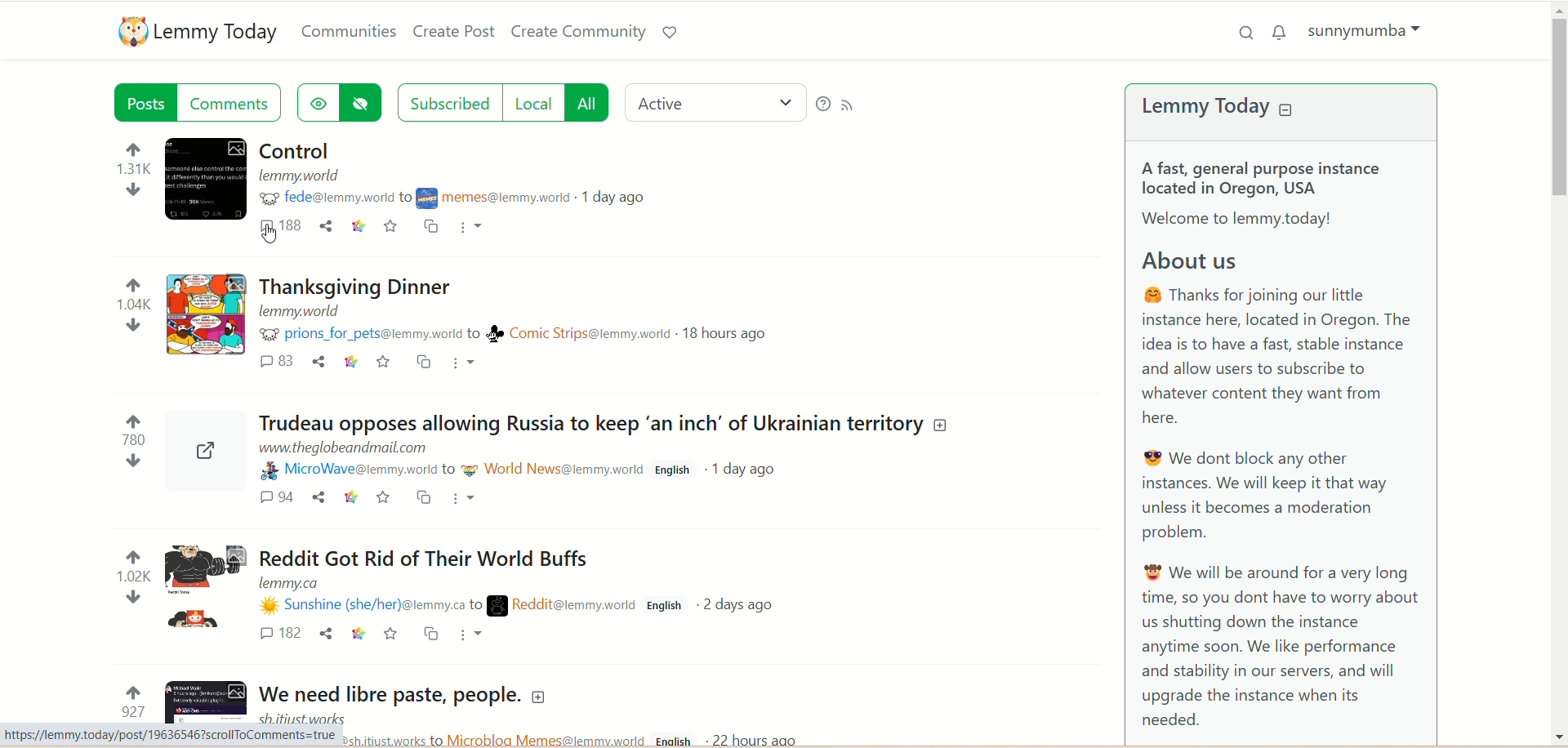 The image size is (1568, 748). I want to click on community, so click(542, 737).